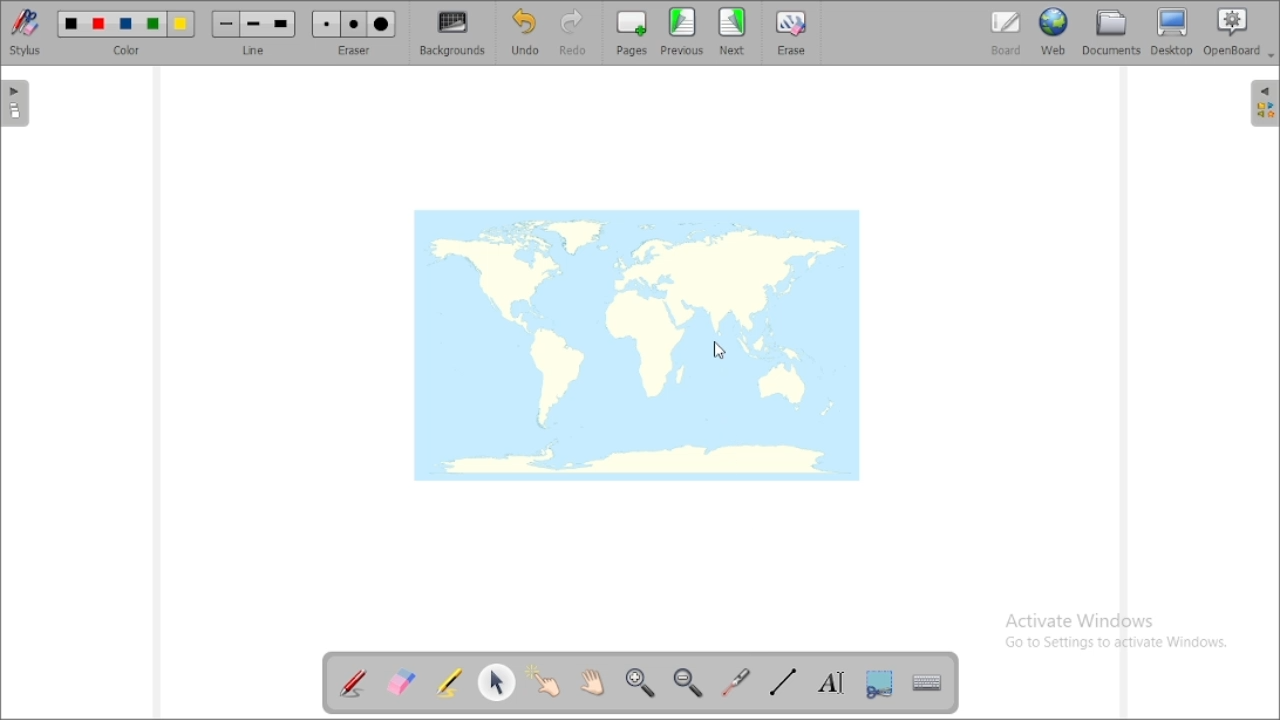 This screenshot has width=1280, height=720. What do you see at coordinates (16, 104) in the screenshot?
I see `pages pane` at bounding box center [16, 104].